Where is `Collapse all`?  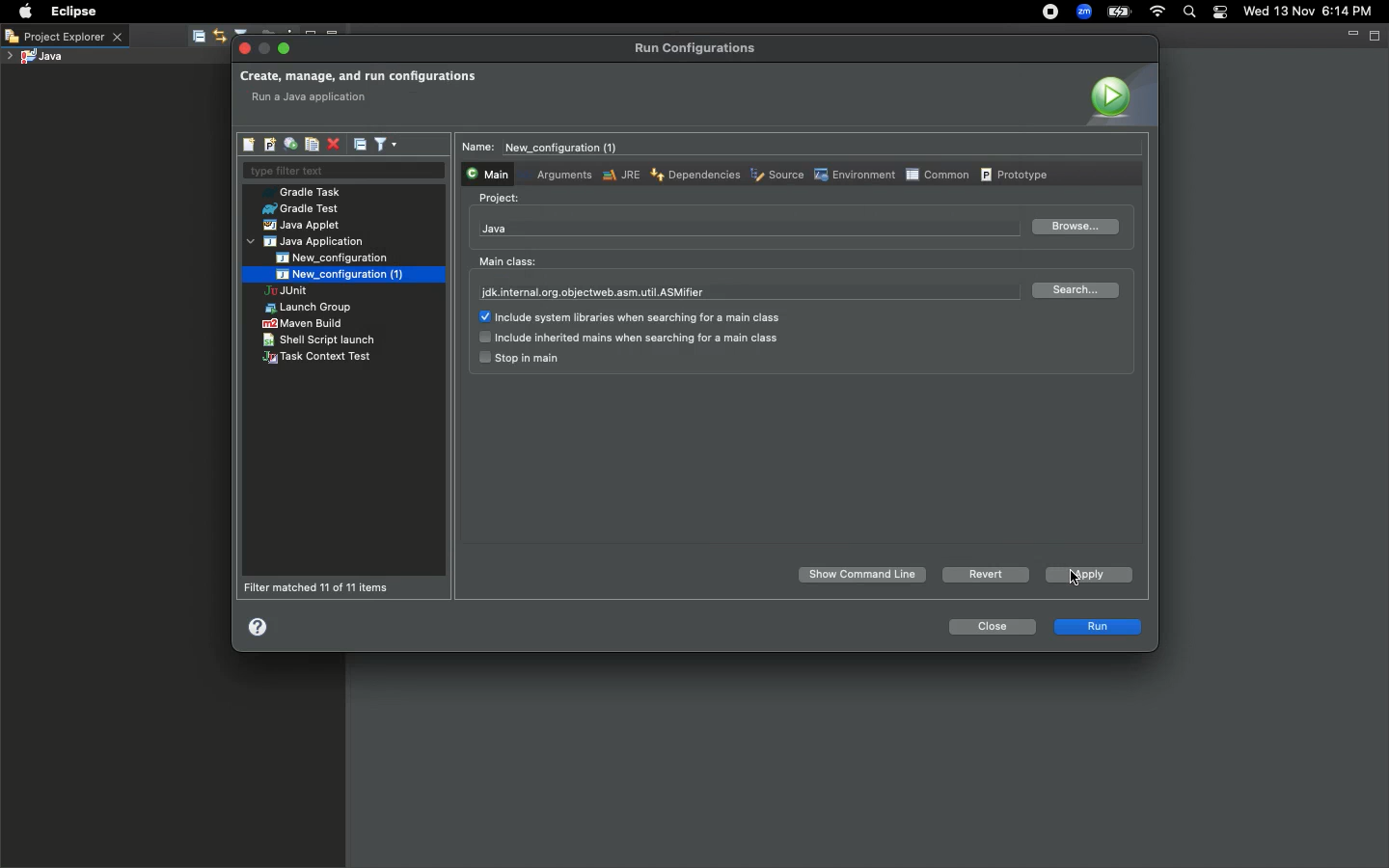 Collapse all is located at coordinates (361, 144).